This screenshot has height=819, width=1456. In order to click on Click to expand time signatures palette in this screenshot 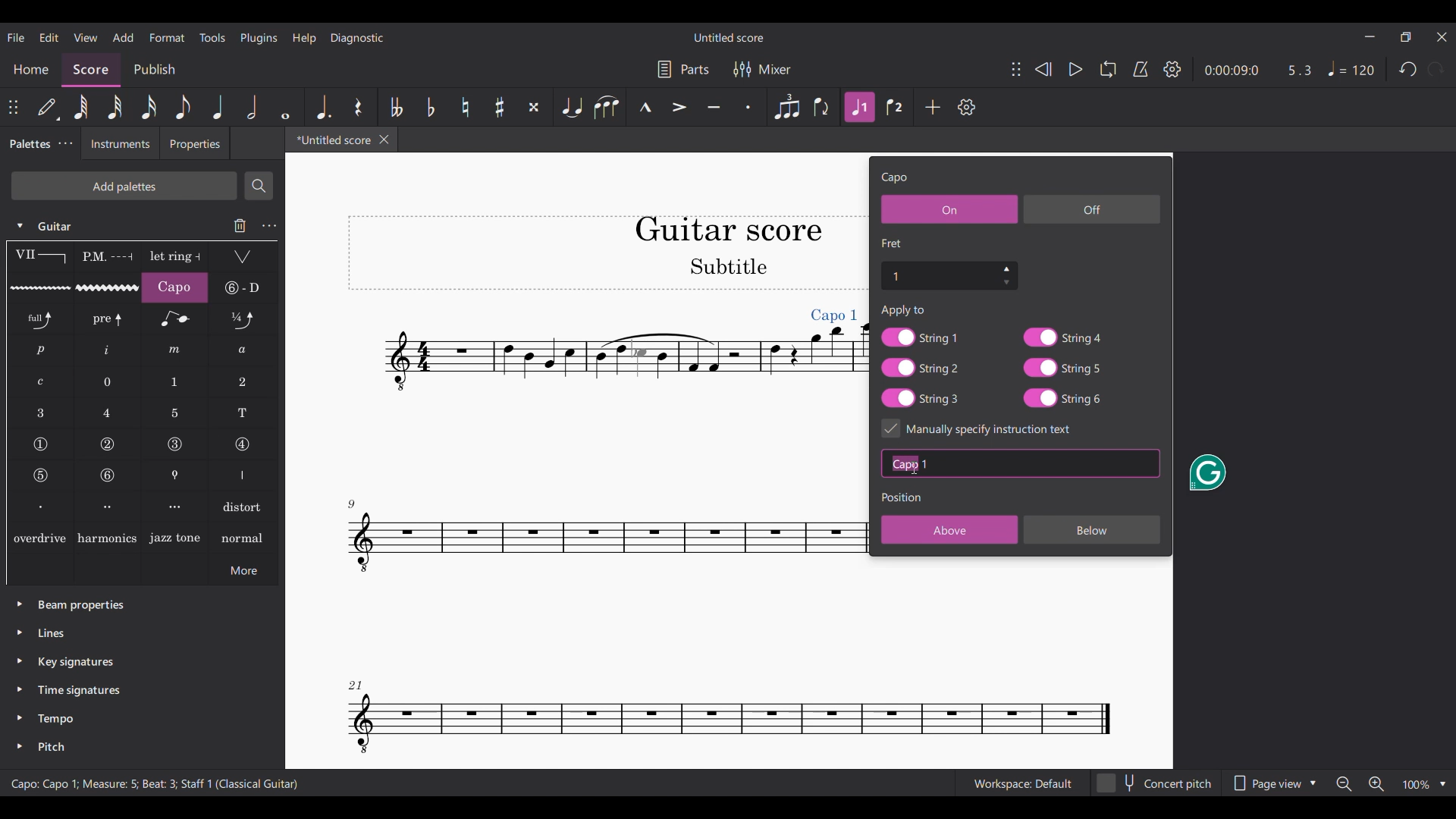, I will do `click(19, 689)`.